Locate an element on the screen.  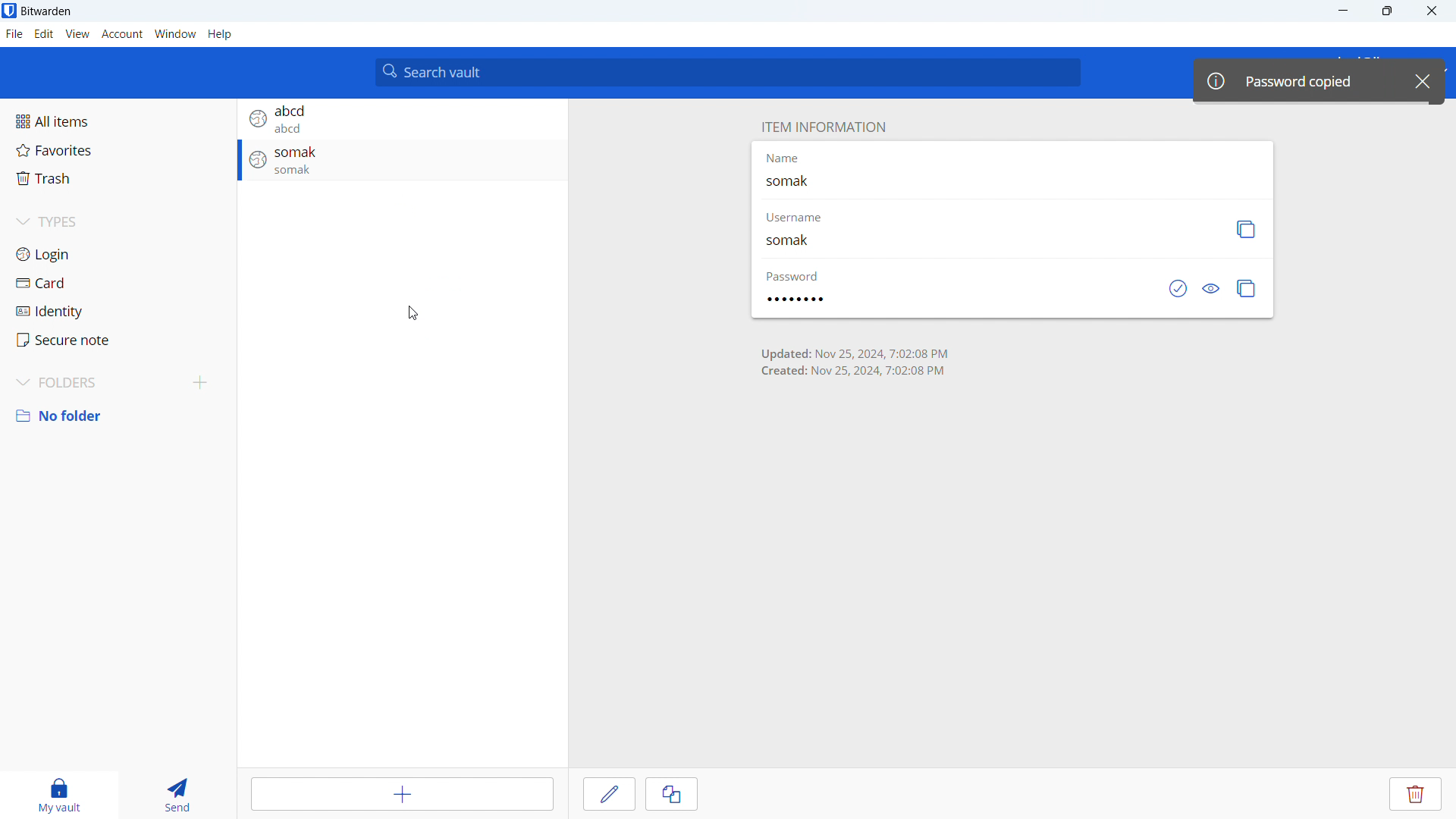
title is located at coordinates (47, 12).